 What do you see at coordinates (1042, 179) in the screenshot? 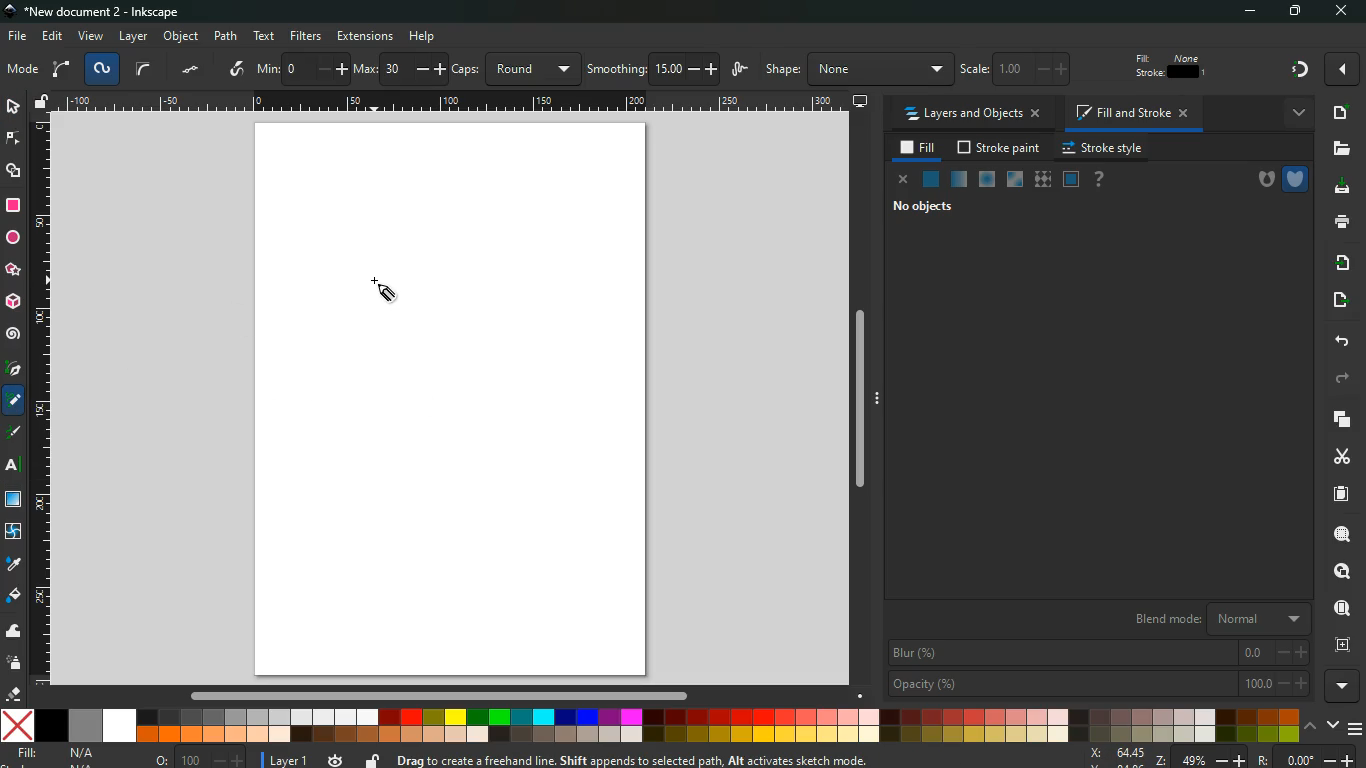
I see `texture` at bounding box center [1042, 179].